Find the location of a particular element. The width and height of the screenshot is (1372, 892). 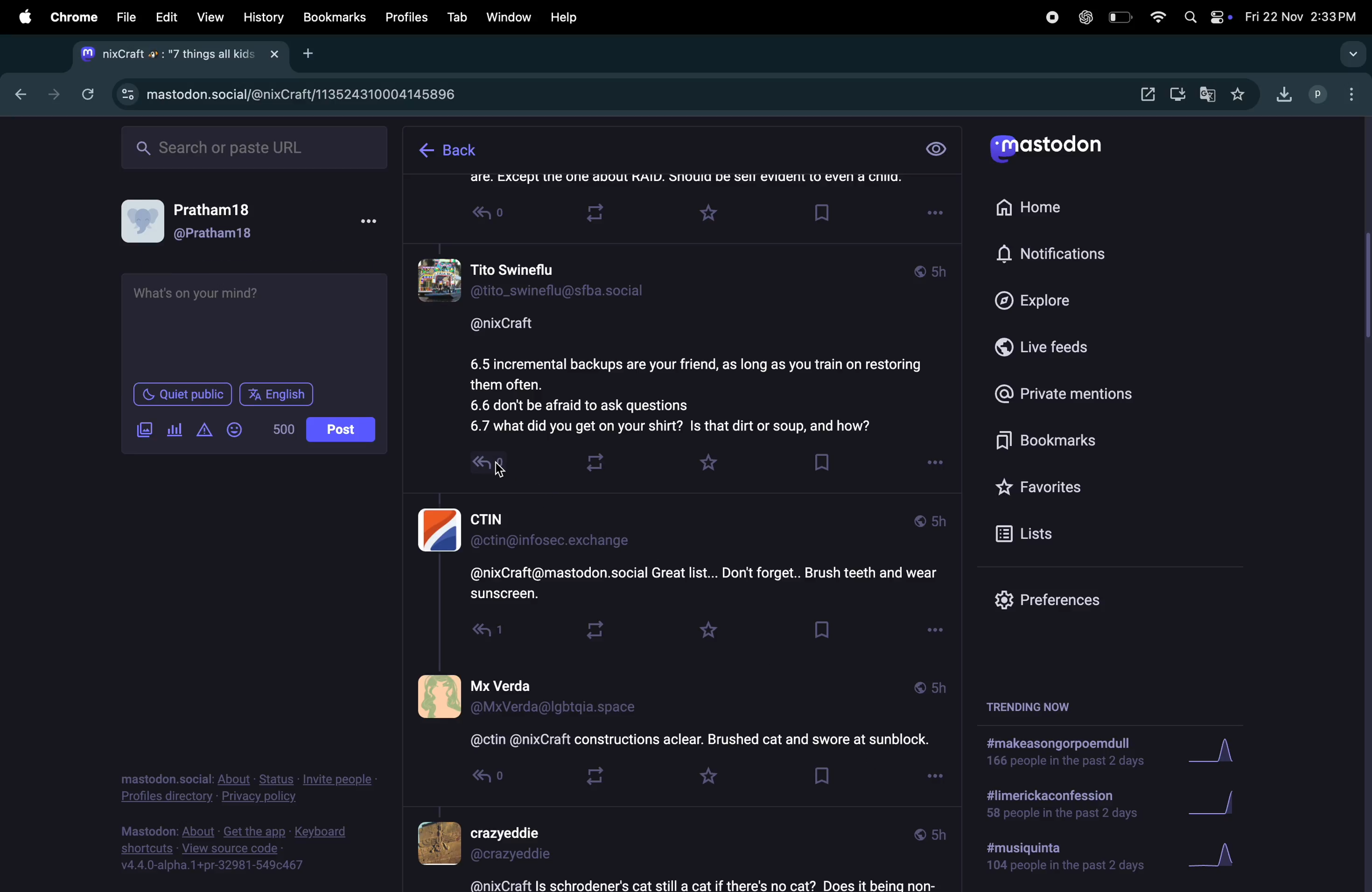

thread is located at coordinates (689, 343).